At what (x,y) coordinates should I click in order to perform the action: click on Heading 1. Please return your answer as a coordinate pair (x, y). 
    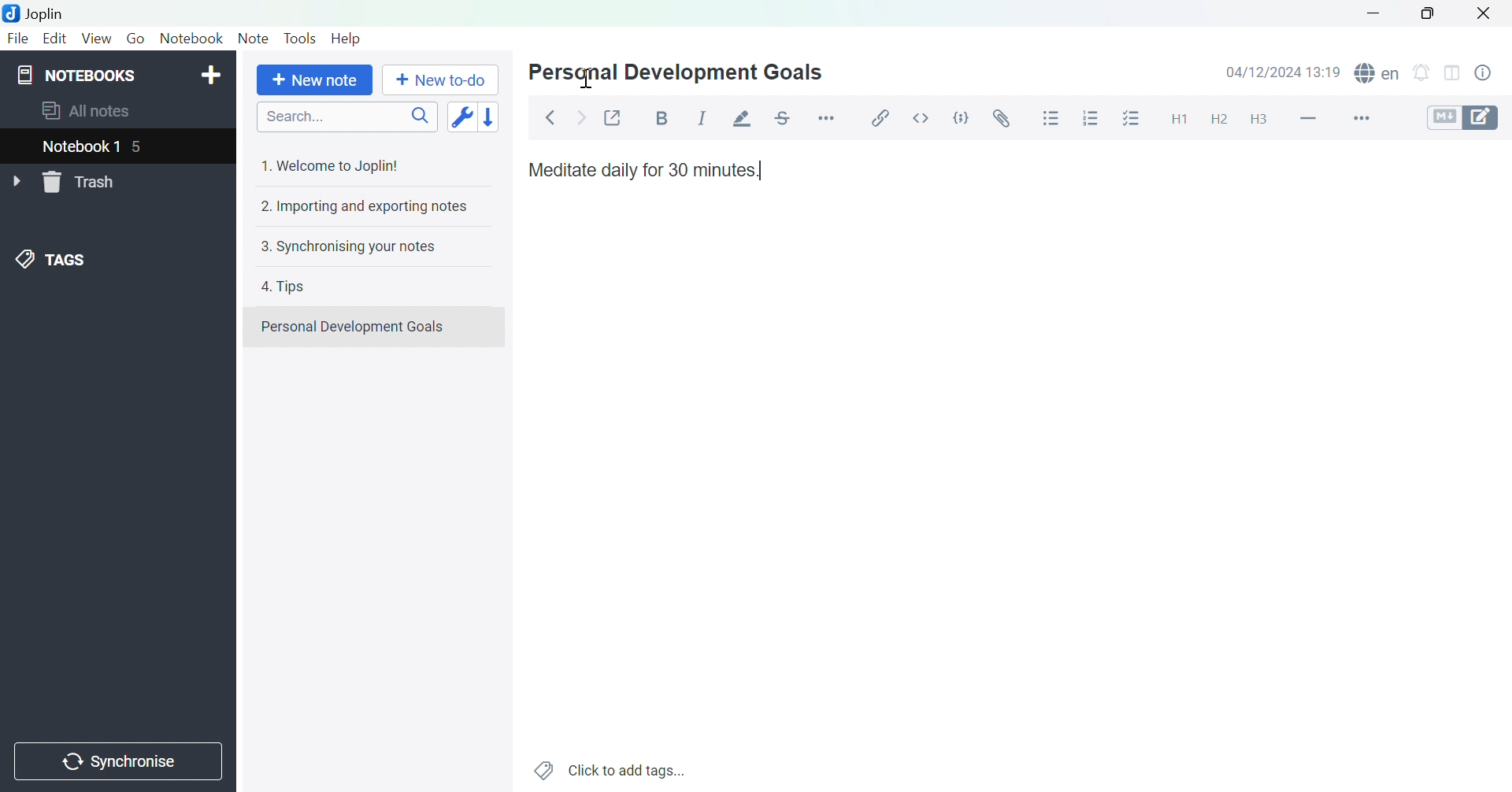
    Looking at the image, I should click on (1180, 120).